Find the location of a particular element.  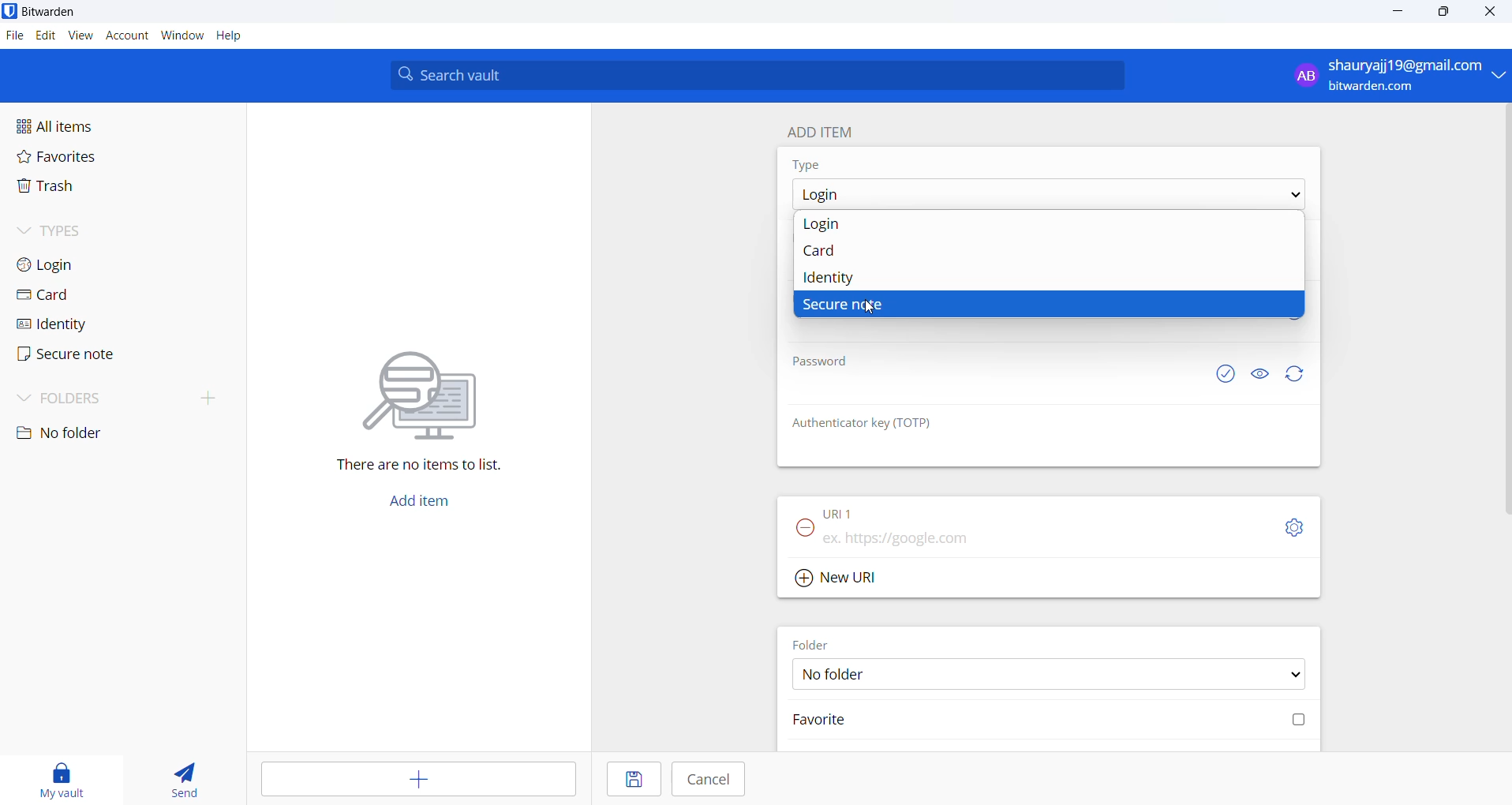

favorite checkbox is located at coordinates (1046, 723).